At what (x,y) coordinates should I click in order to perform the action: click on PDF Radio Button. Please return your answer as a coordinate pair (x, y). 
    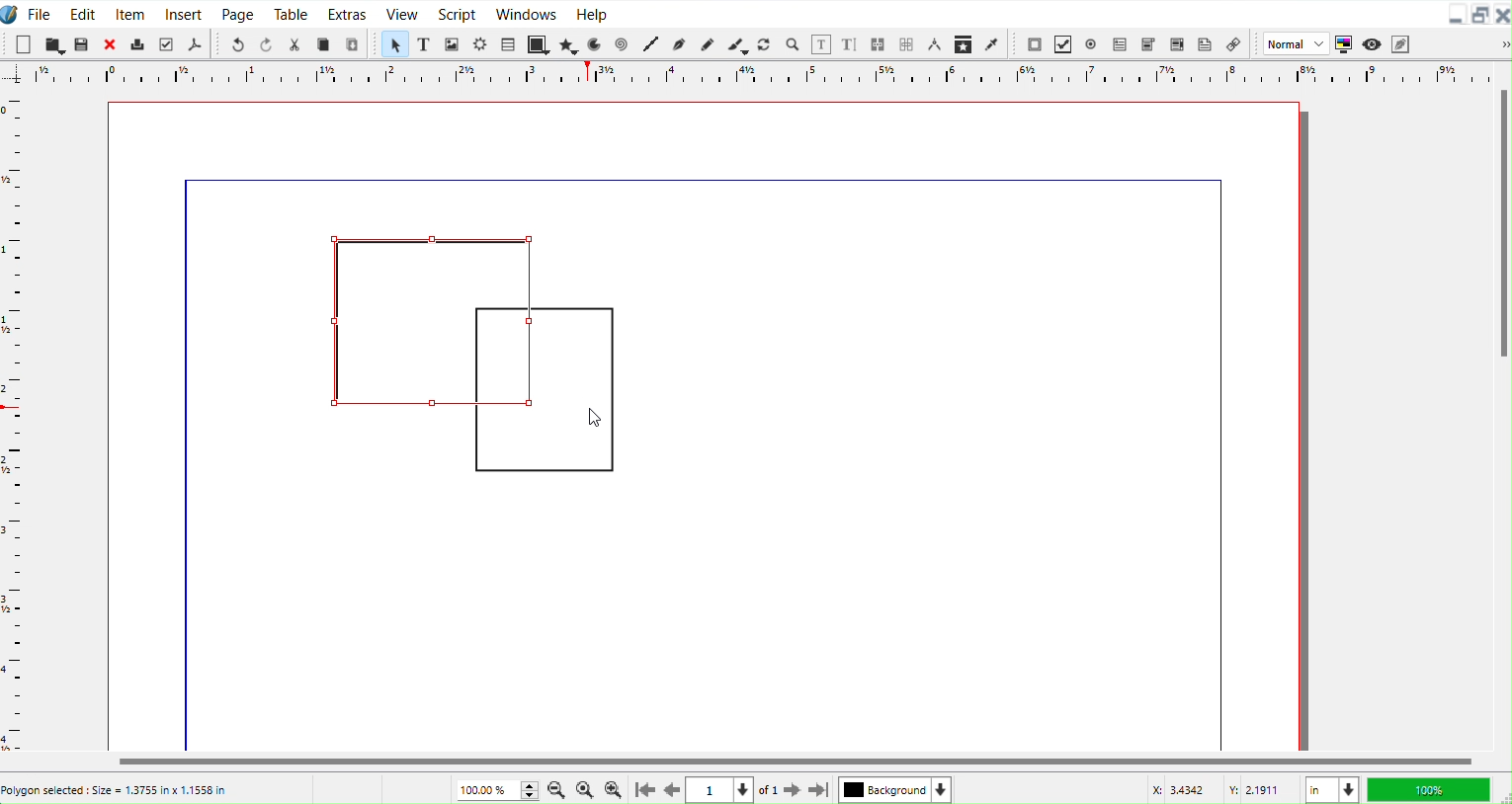
    Looking at the image, I should click on (1091, 43).